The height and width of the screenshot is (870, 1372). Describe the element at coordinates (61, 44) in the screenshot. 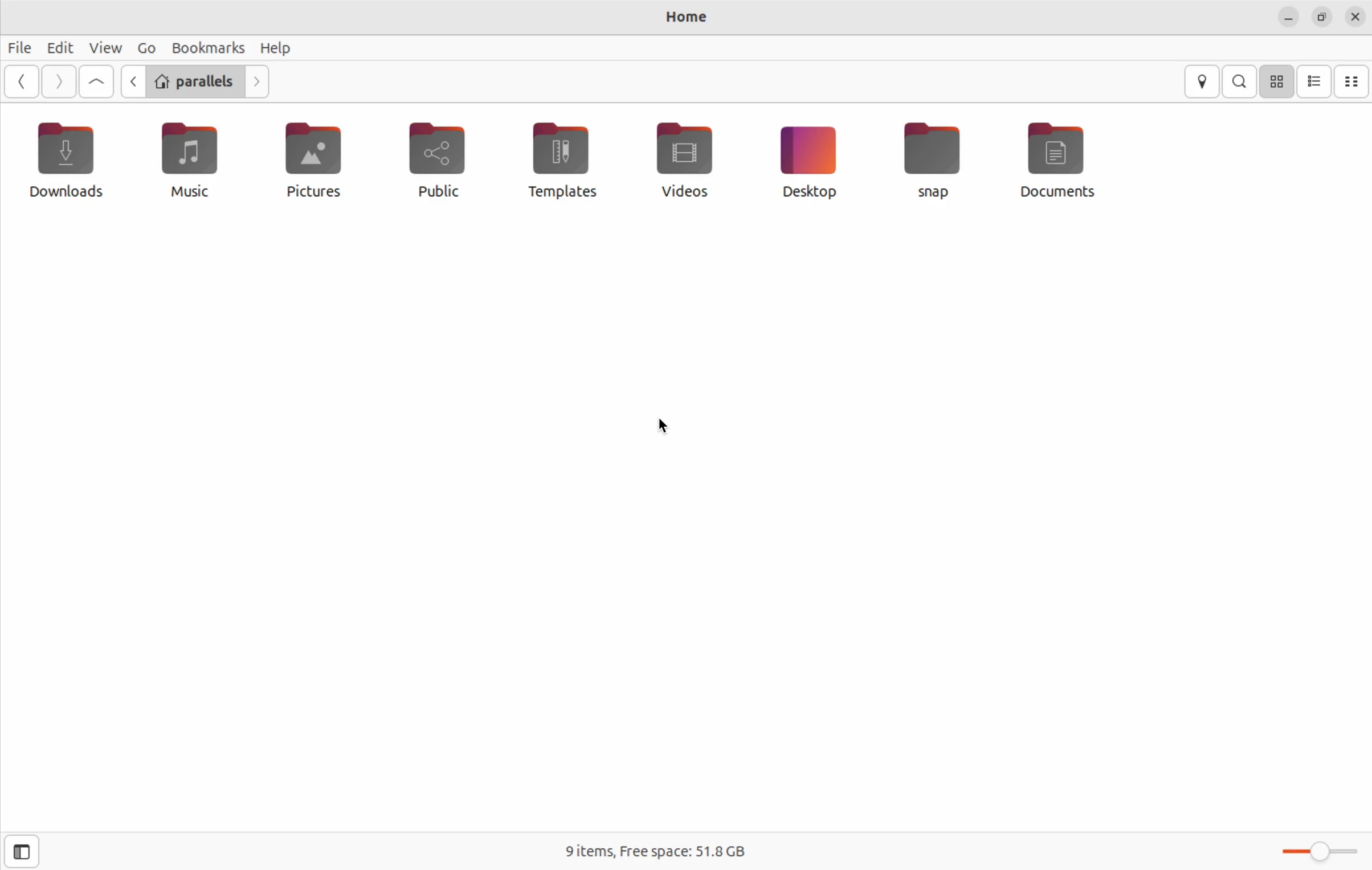

I see `Edit` at that location.